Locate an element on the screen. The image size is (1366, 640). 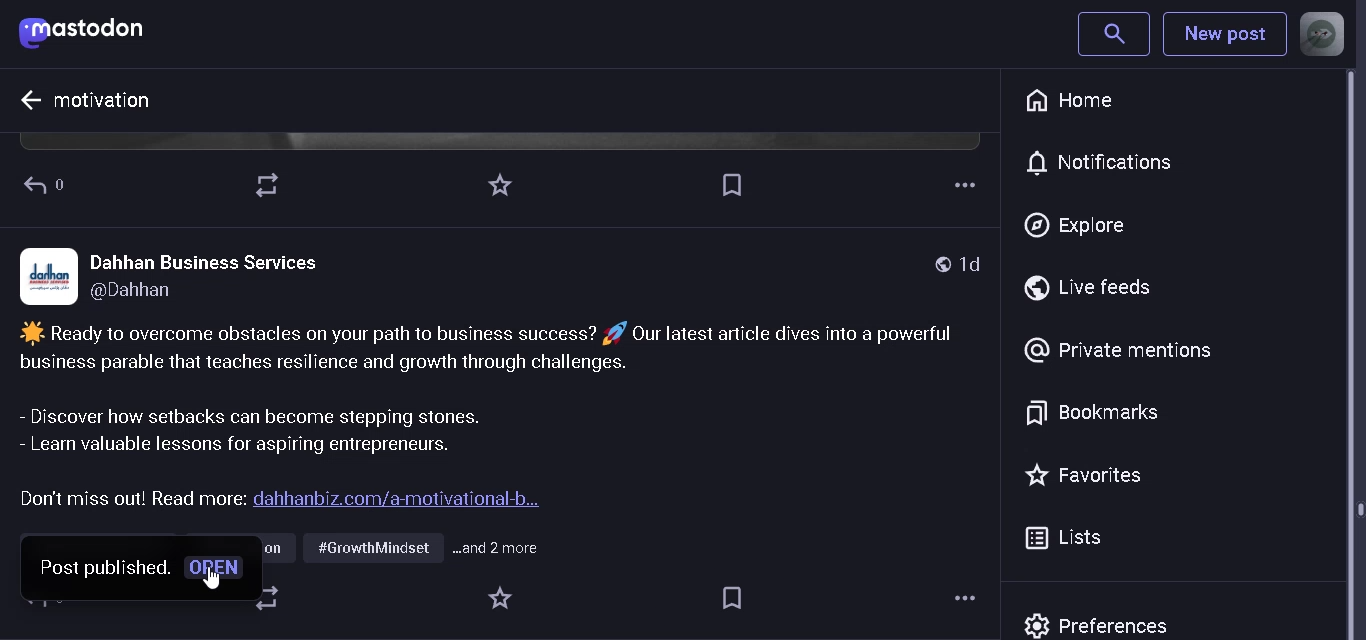
Back is located at coordinates (53, 183).